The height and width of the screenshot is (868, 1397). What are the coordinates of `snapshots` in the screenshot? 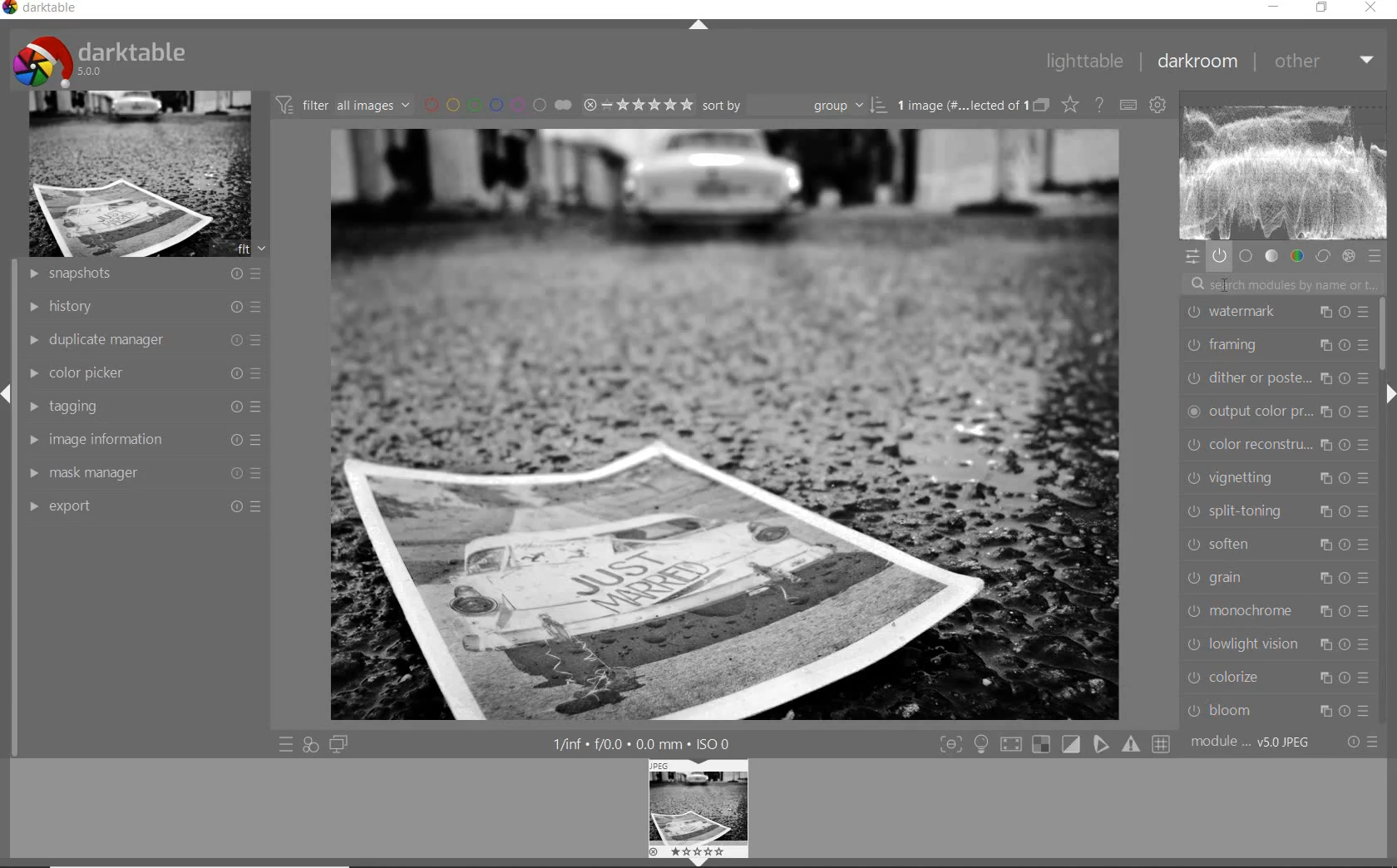 It's located at (142, 275).